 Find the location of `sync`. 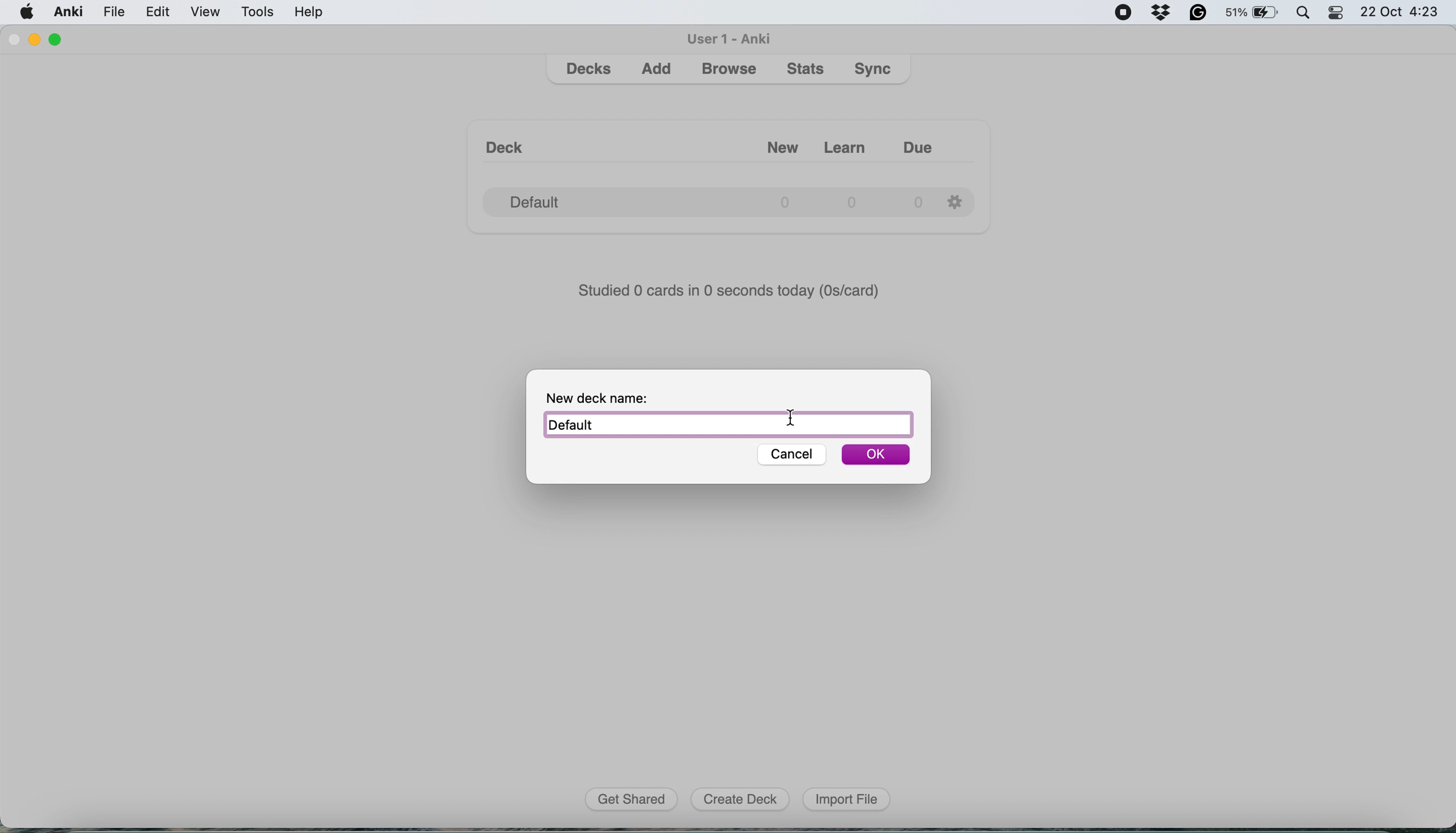

sync is located at coordinates (875, 70).